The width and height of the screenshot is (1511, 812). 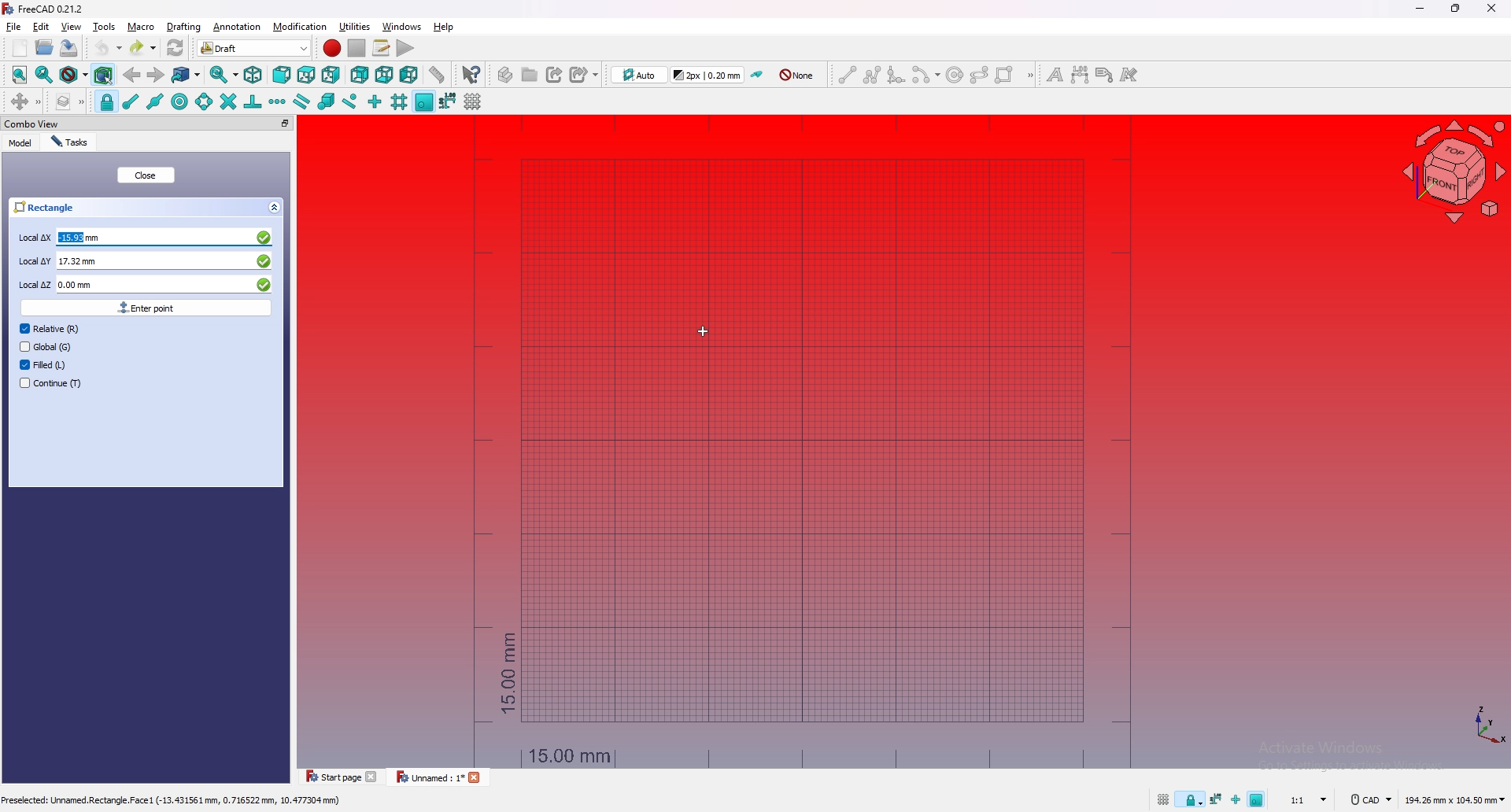 What do you see at coordinates (709, 74) in the screenshot?
I see `change default style for new objects` at bounding box center [709, 74].